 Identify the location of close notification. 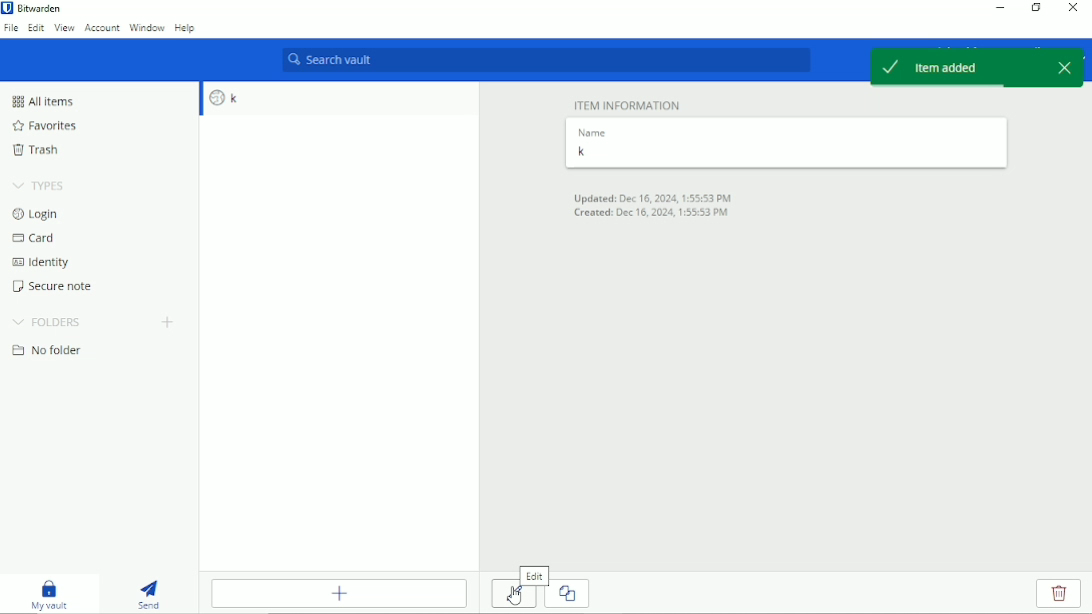
(1064, 66).